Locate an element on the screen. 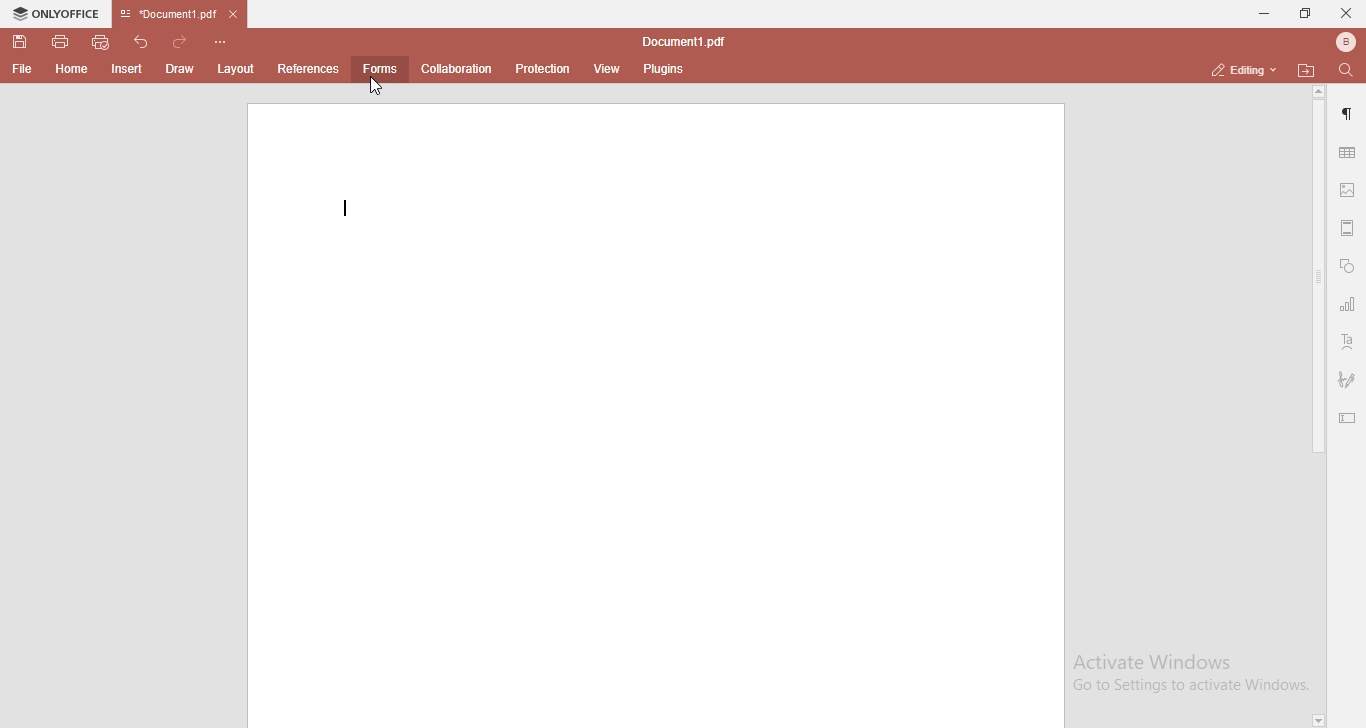 The image size is (1366, 728). editing is located at coordinates (1241, 69).